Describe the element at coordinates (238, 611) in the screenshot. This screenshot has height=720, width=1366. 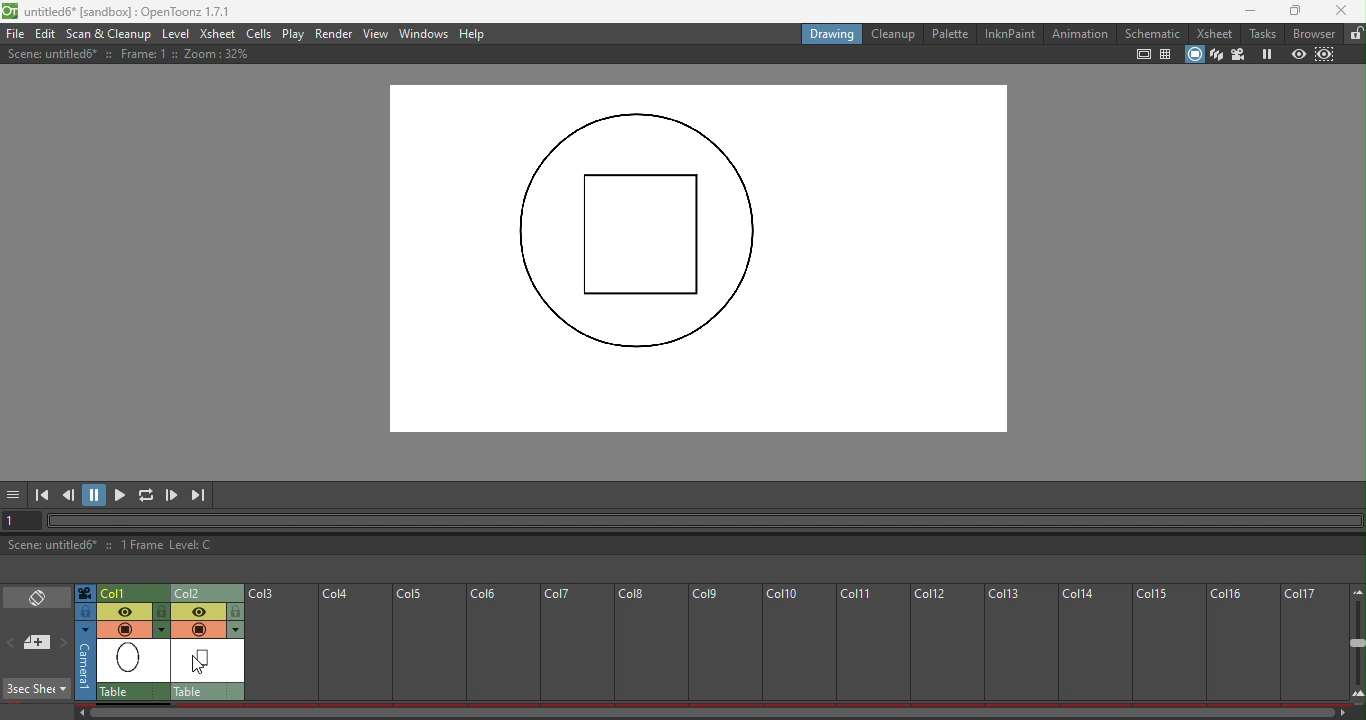
I see `Lock toggle` at that location.